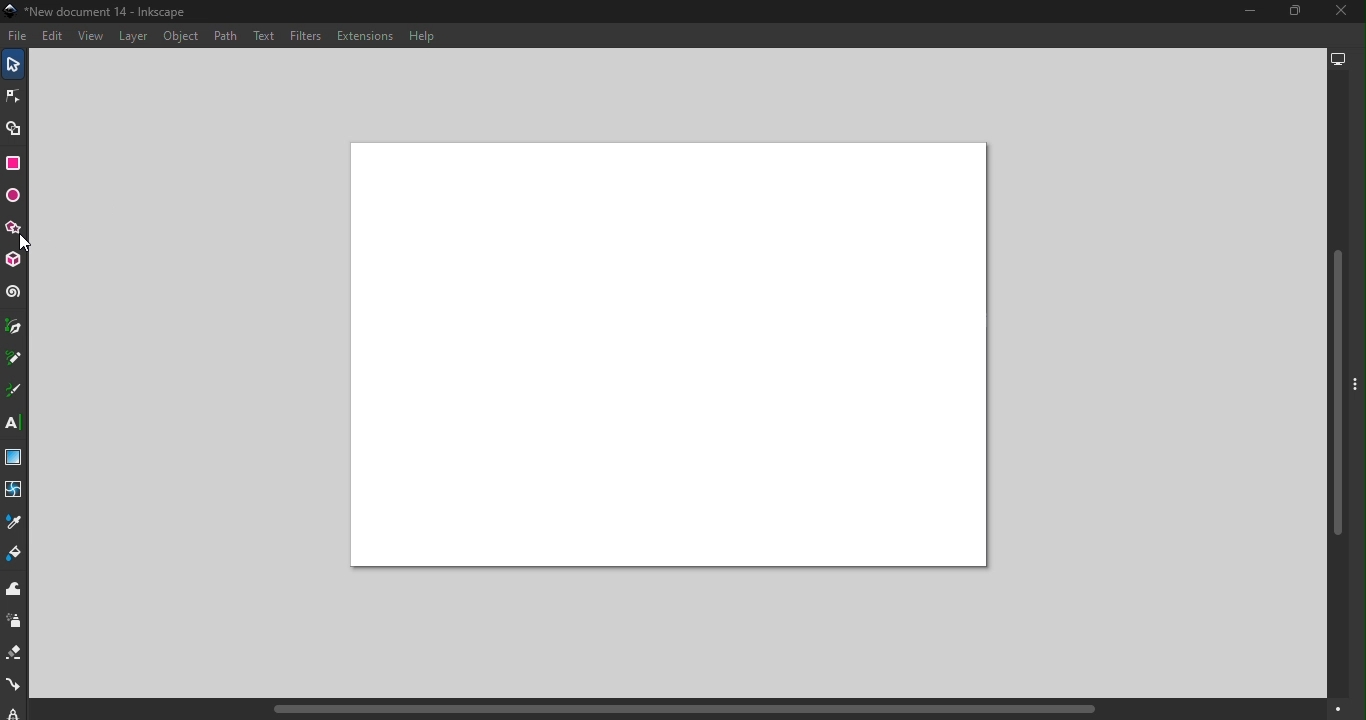 The image size is (1366, 720). Describe the element at coordinates (676, 708) in the screenshot. I see `Horizontal scroll bar` at that location.